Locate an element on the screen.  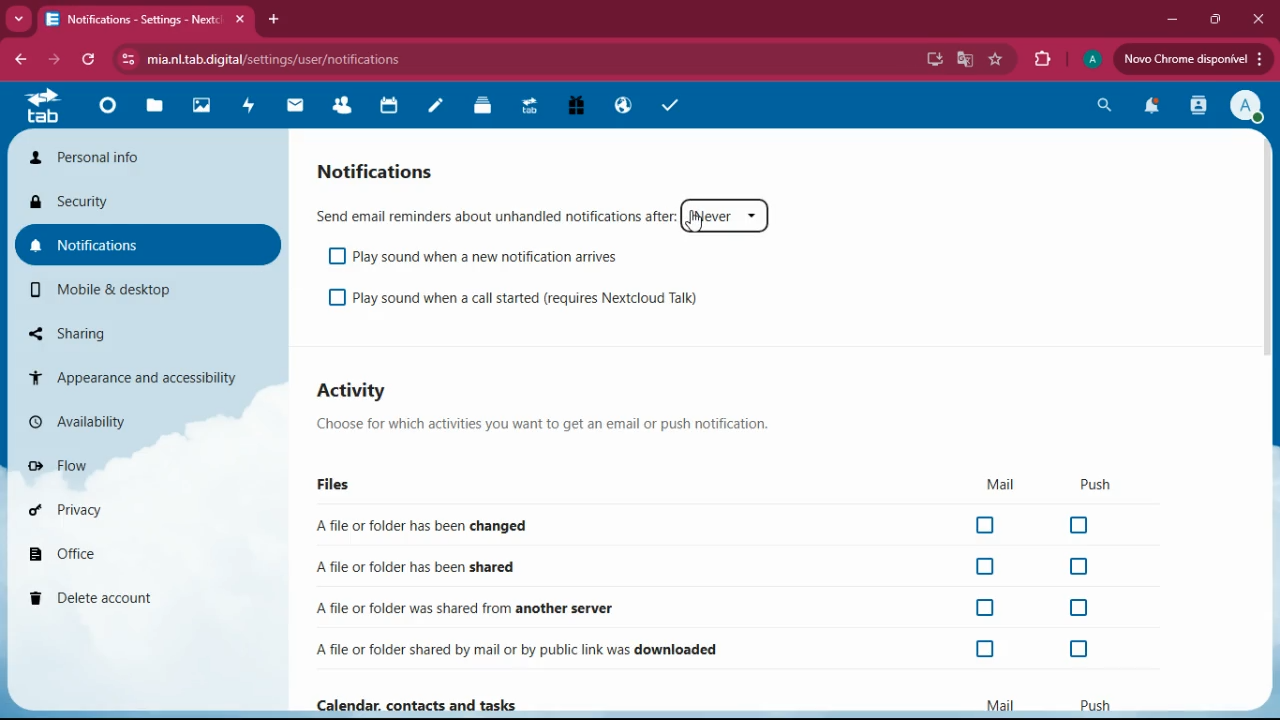
Calendar, contacts and tasks is located at coordinates (417, 704).